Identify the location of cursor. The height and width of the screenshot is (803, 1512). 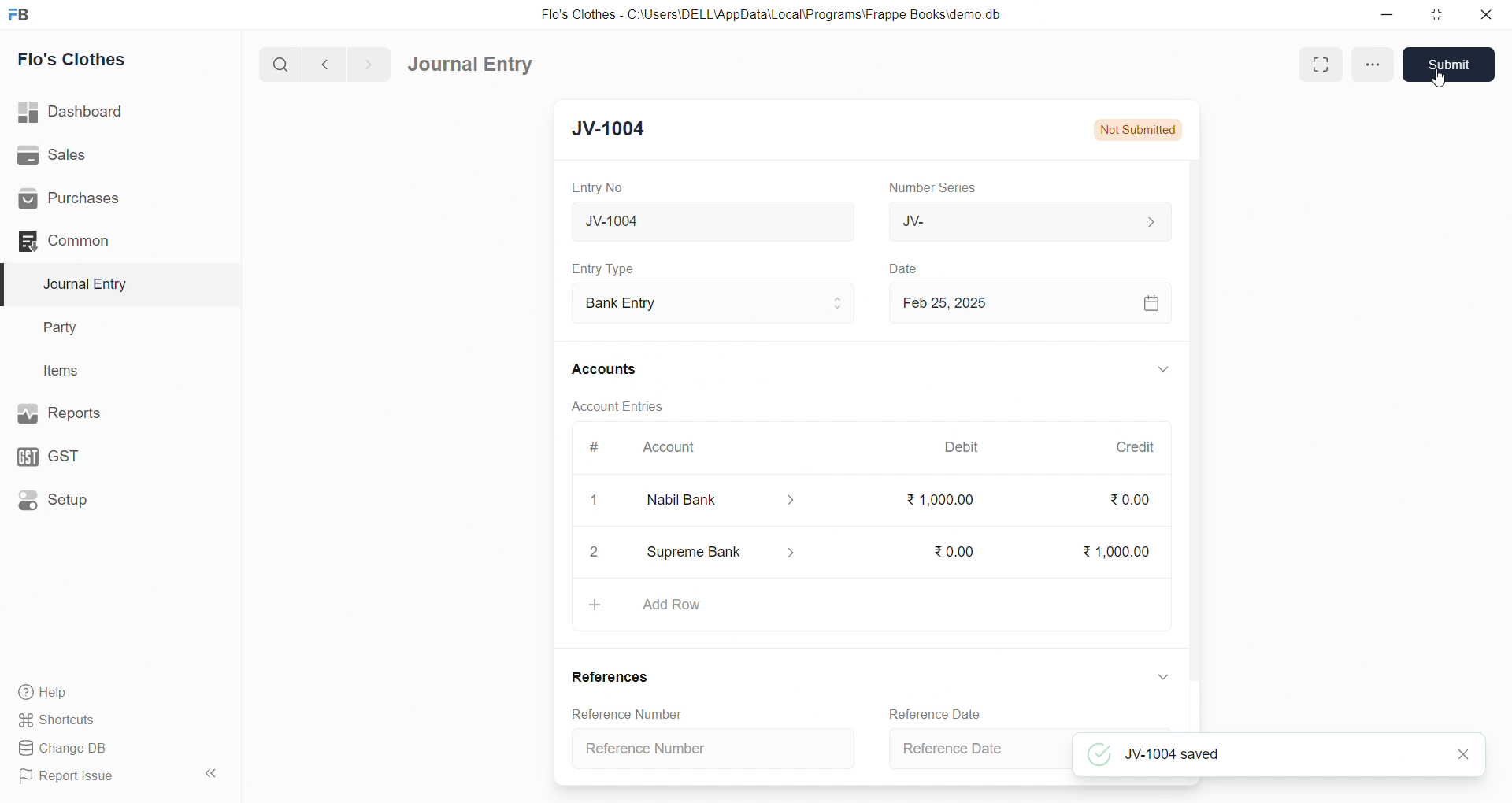
(1442, 80).